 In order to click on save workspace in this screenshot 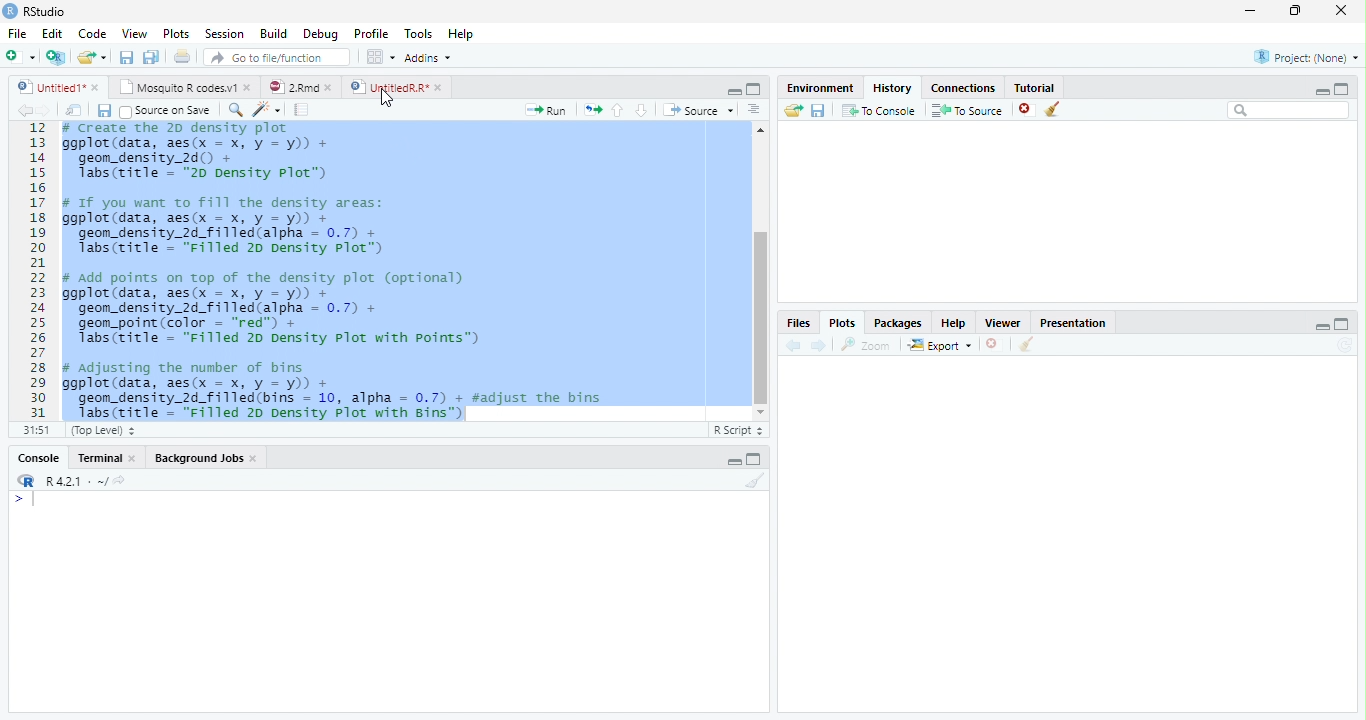, I will do `click(820, 111)`.